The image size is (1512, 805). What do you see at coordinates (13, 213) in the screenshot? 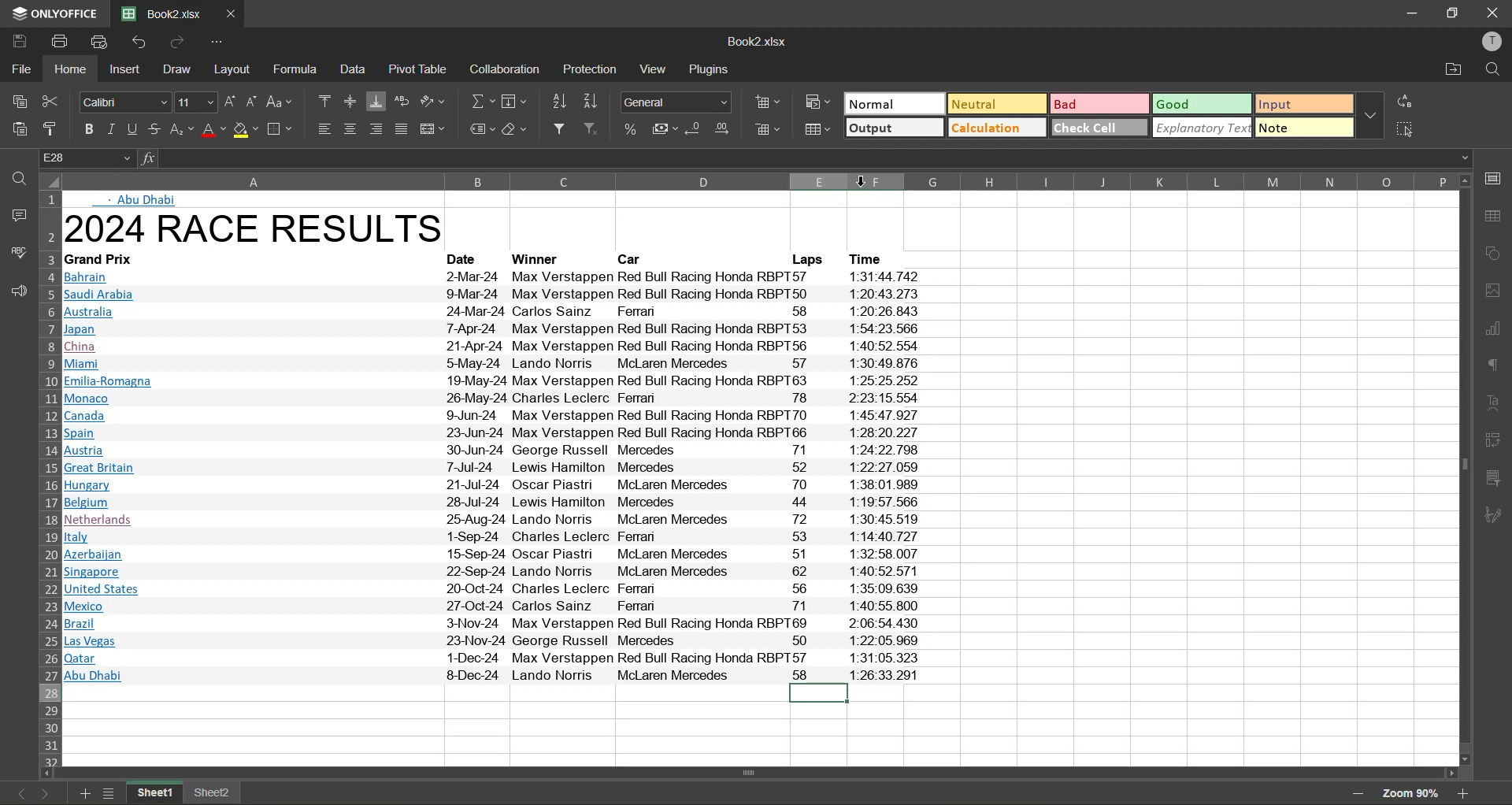
I see `comments` at bounding box center [13, 213].